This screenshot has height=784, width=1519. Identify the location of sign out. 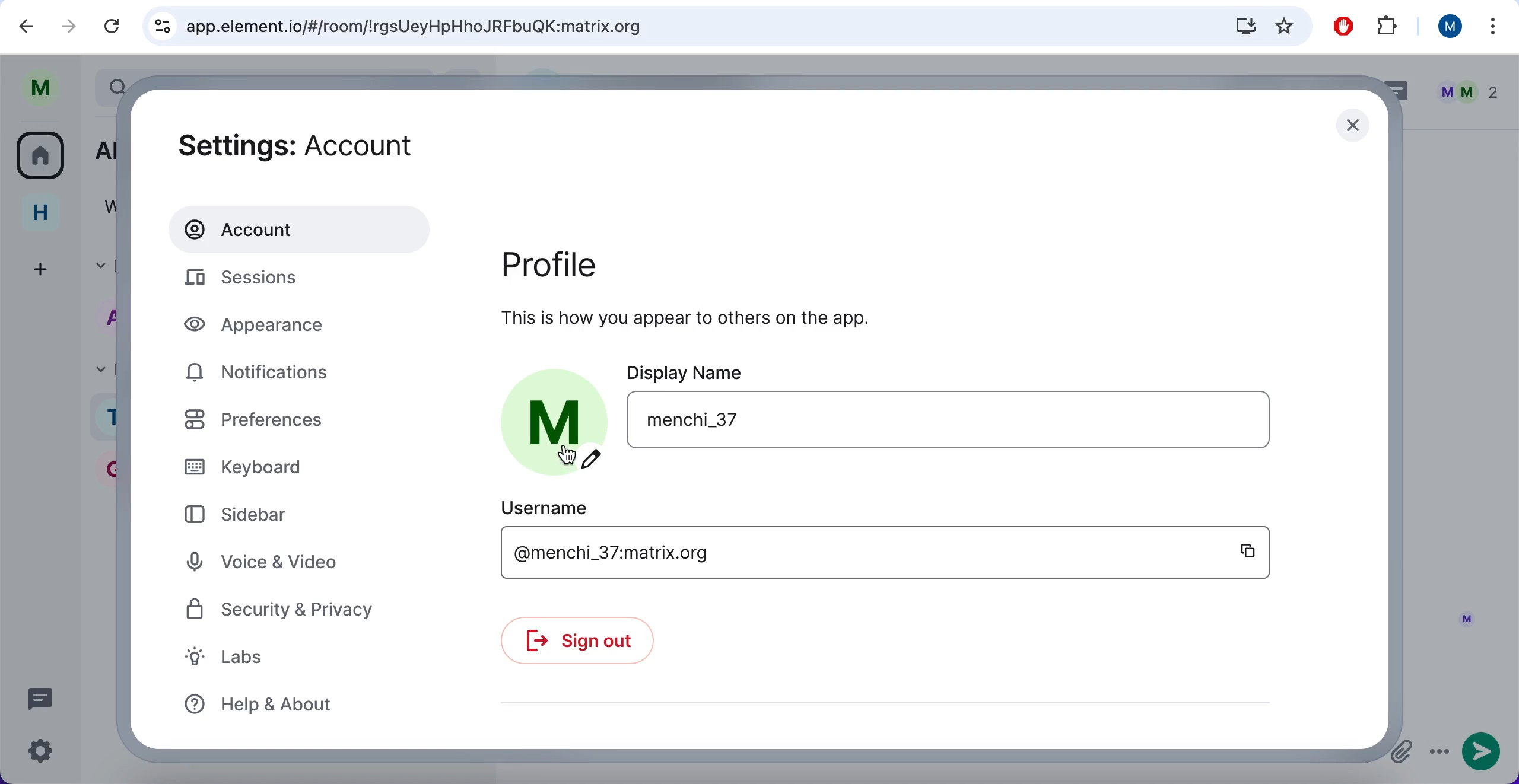
(592, 647).